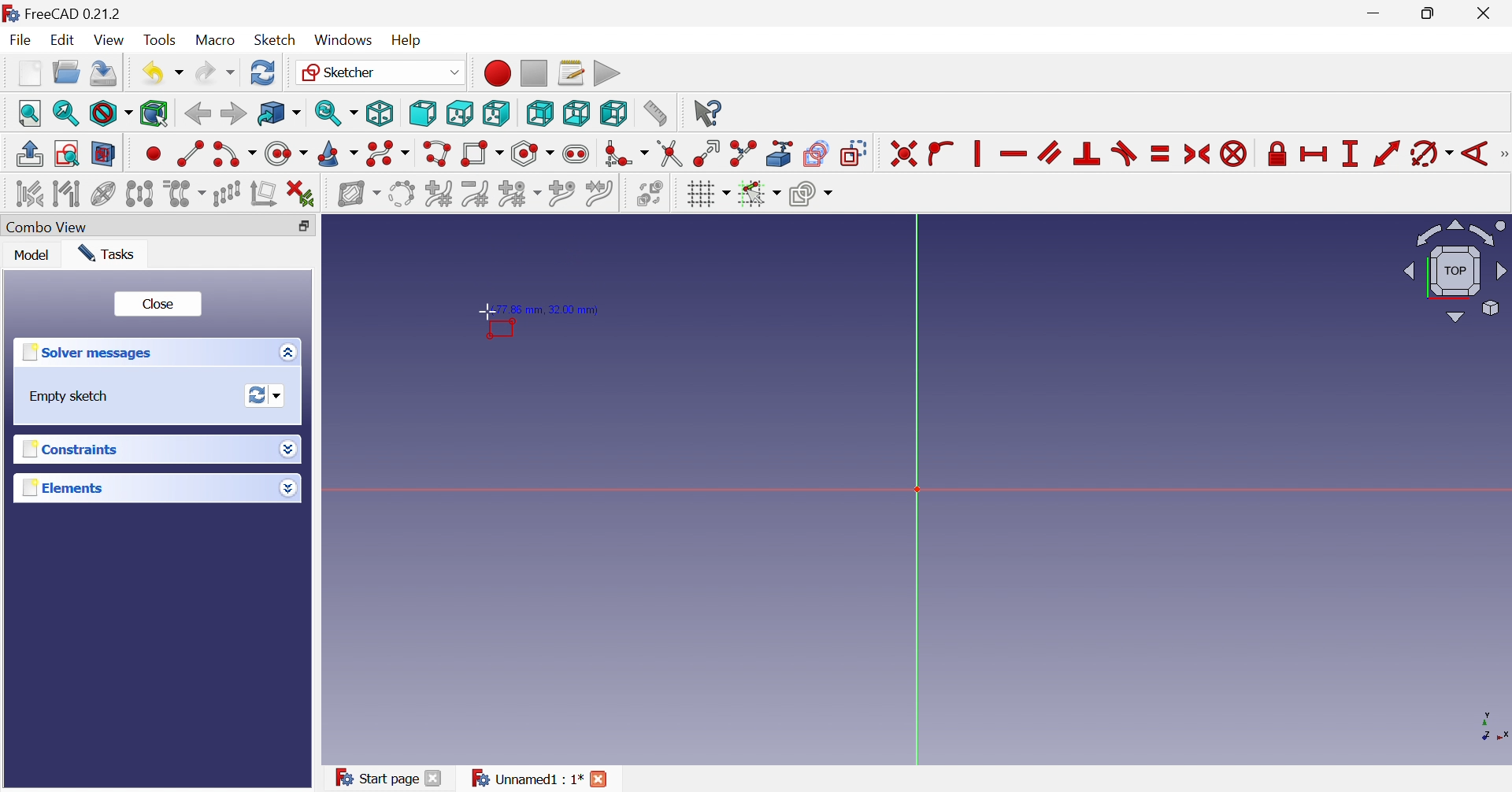  Describe the element at coordinates (197, 114) in the screenshot. I see `Back` at that location.